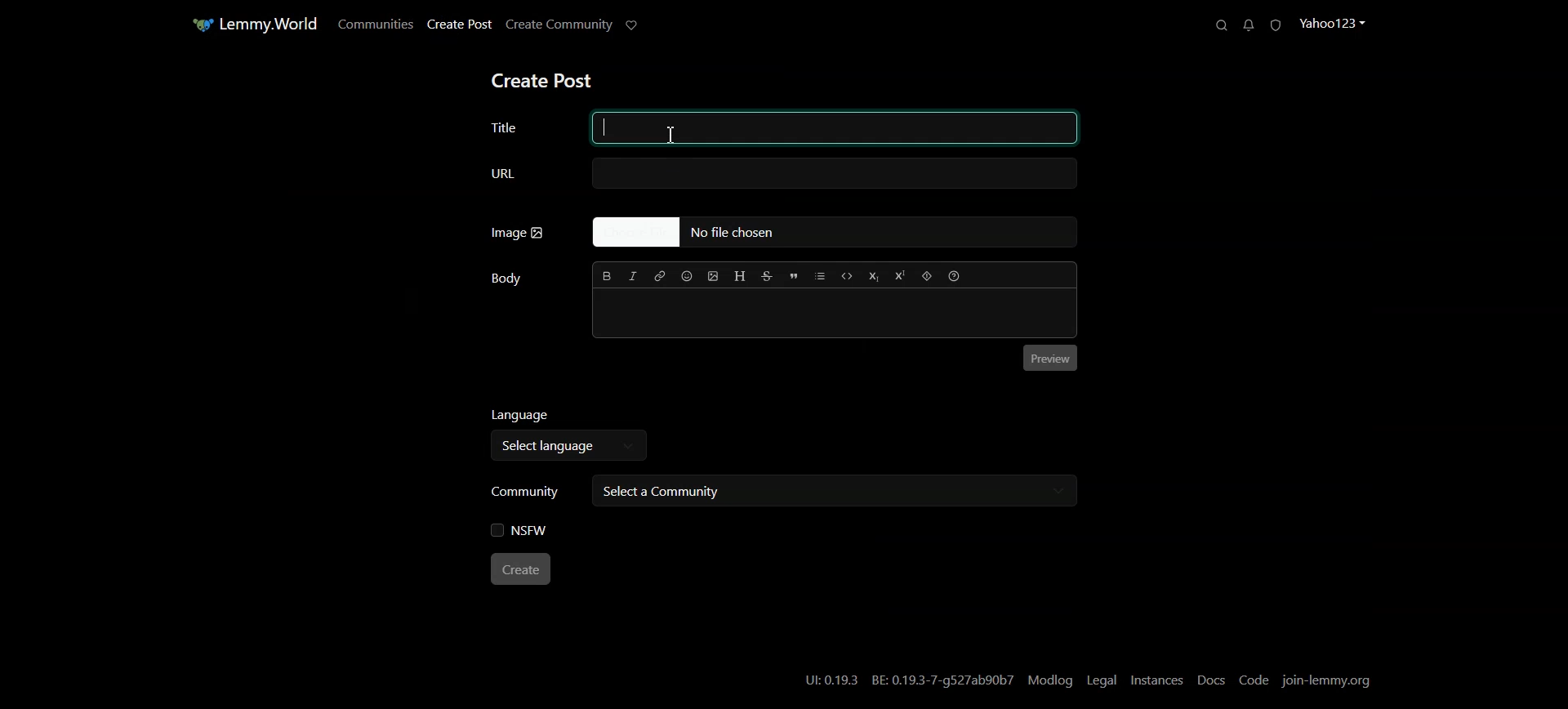 This screenshot has width=1568, height=709. What do you see at coordinates (1217, 25) in the screenshot?
I see `Search` at bounding box center [1217, 25].